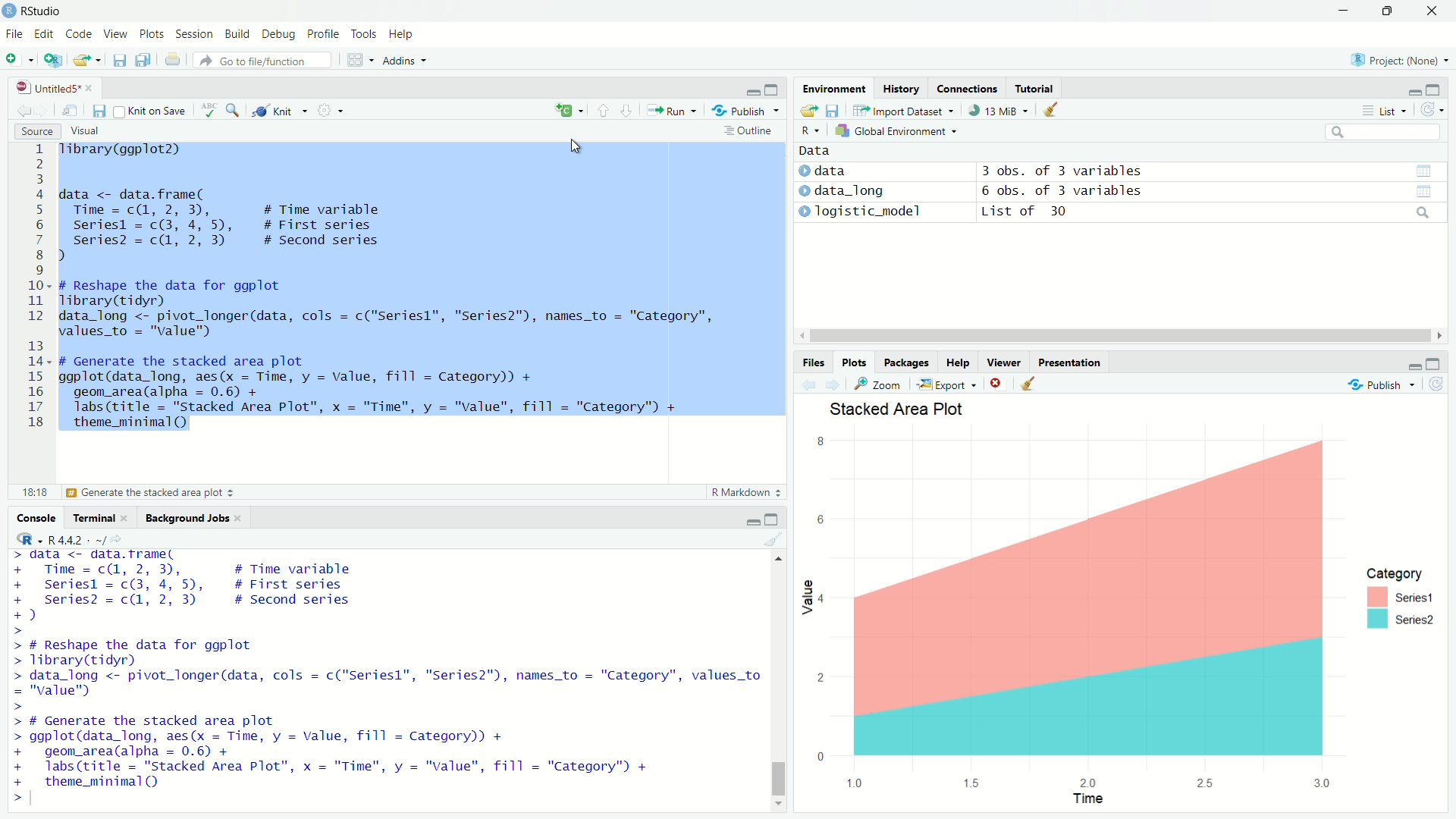  I want to click on Edit, so click(44, 33).